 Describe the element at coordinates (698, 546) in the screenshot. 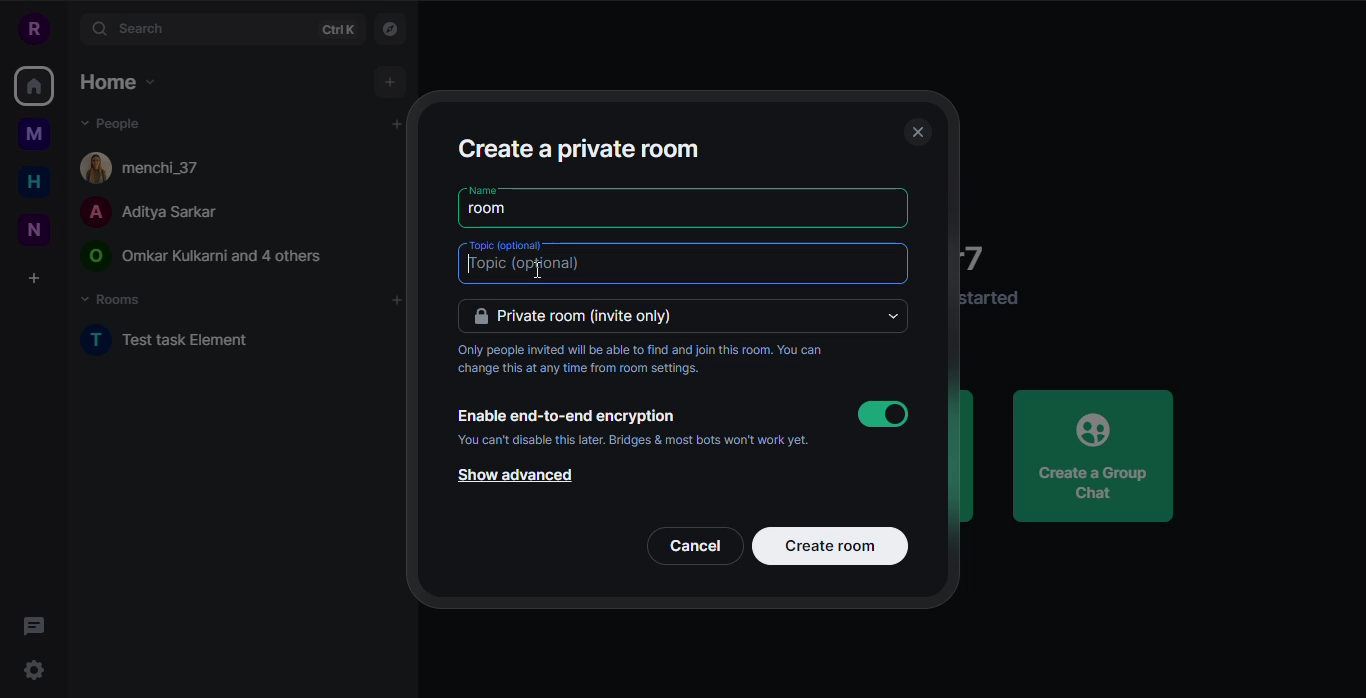

I see `cancel` at that location.